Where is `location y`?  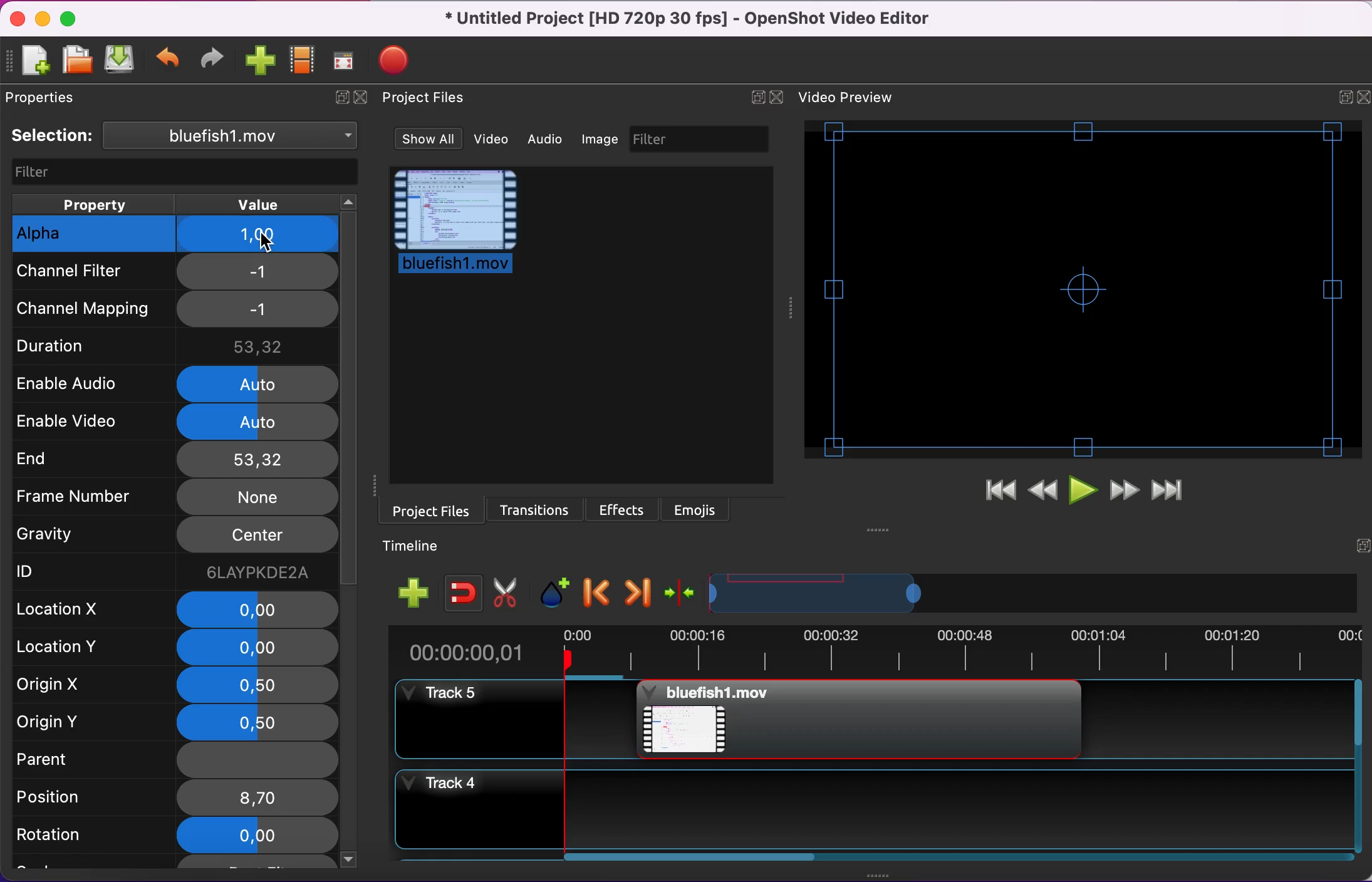
location y is located at coordinates (76, 650).